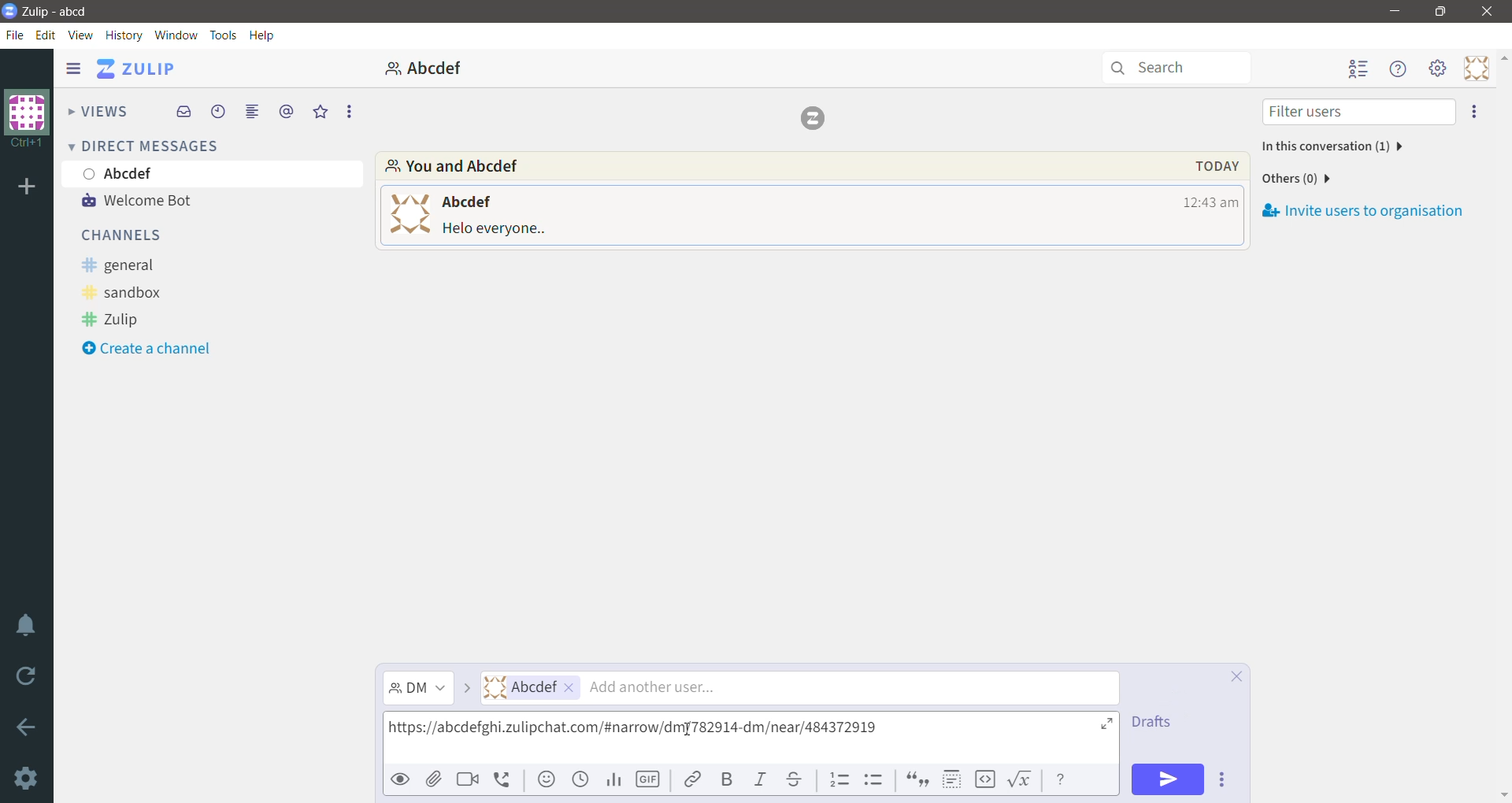 The width and height of the screenshot is (1512, 803). Describe the element at coordinates (1359, 69) in the screenshot. I see `Hide user list` at that location.